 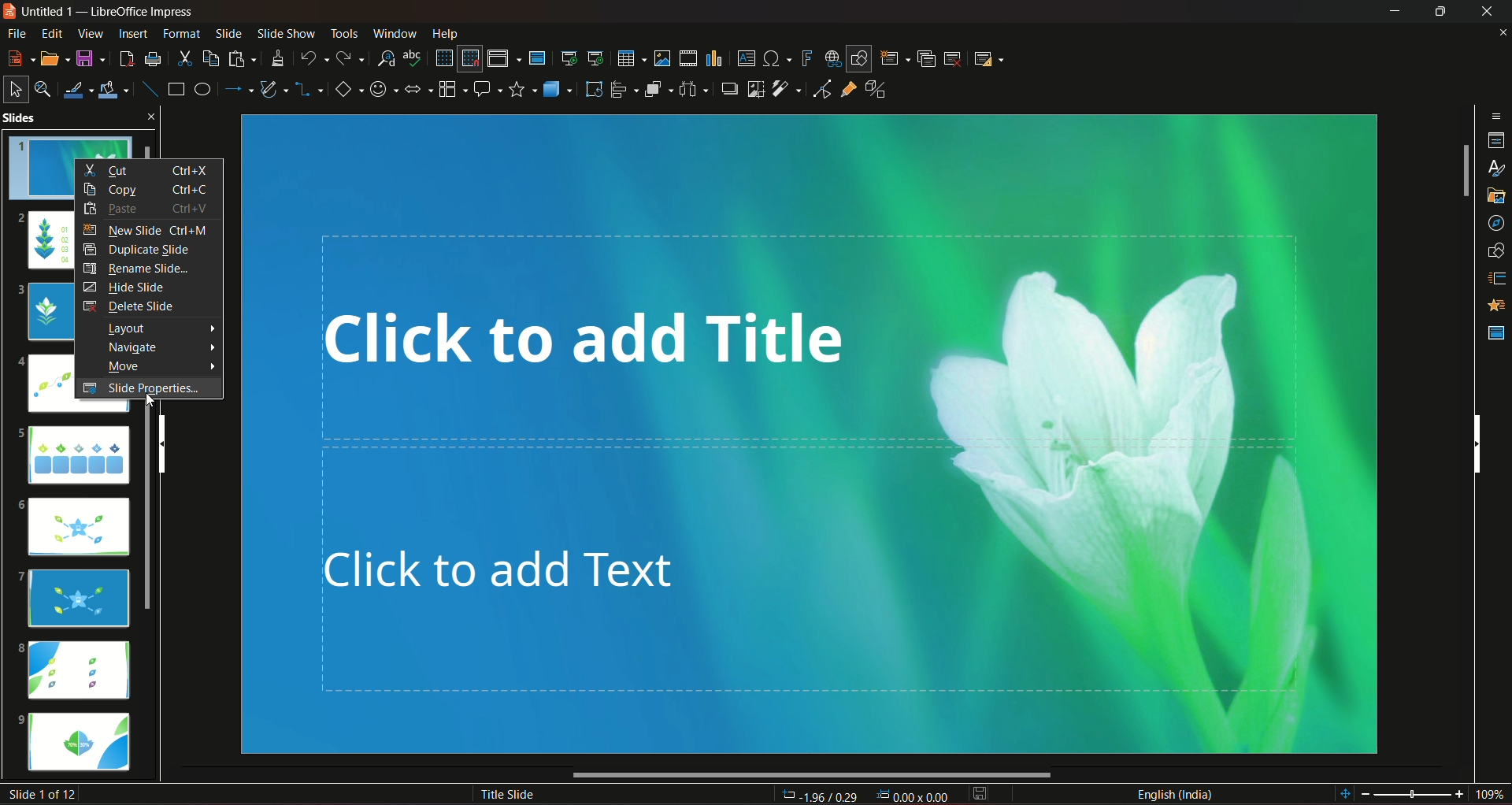 I want to click on show gluepoint function, so click(x=848, y=91).